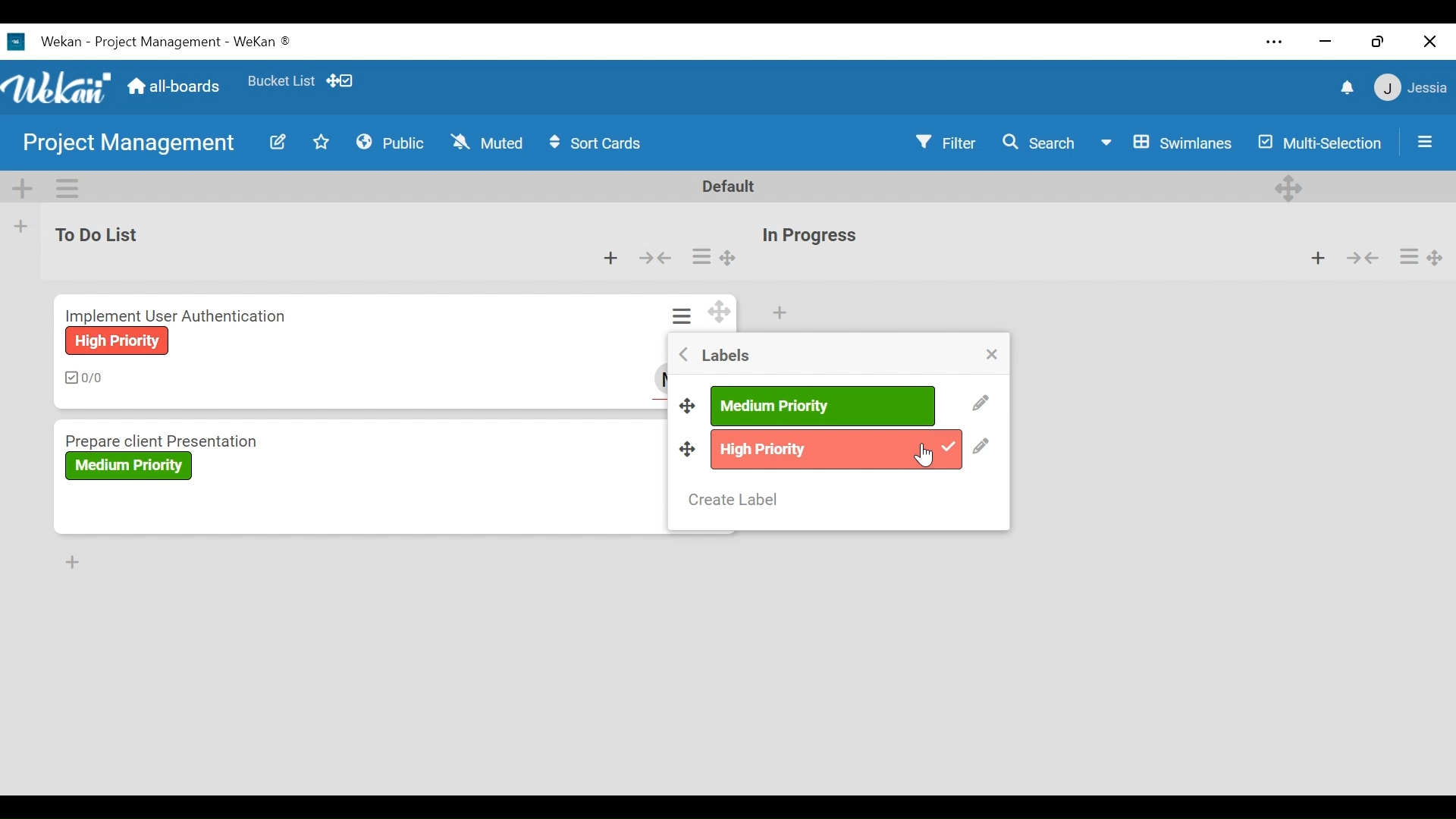 Image resolution: width=1456 pixels, height=819 pixels. I want to click on Open/Close Sidebar, so click(1423, 140).